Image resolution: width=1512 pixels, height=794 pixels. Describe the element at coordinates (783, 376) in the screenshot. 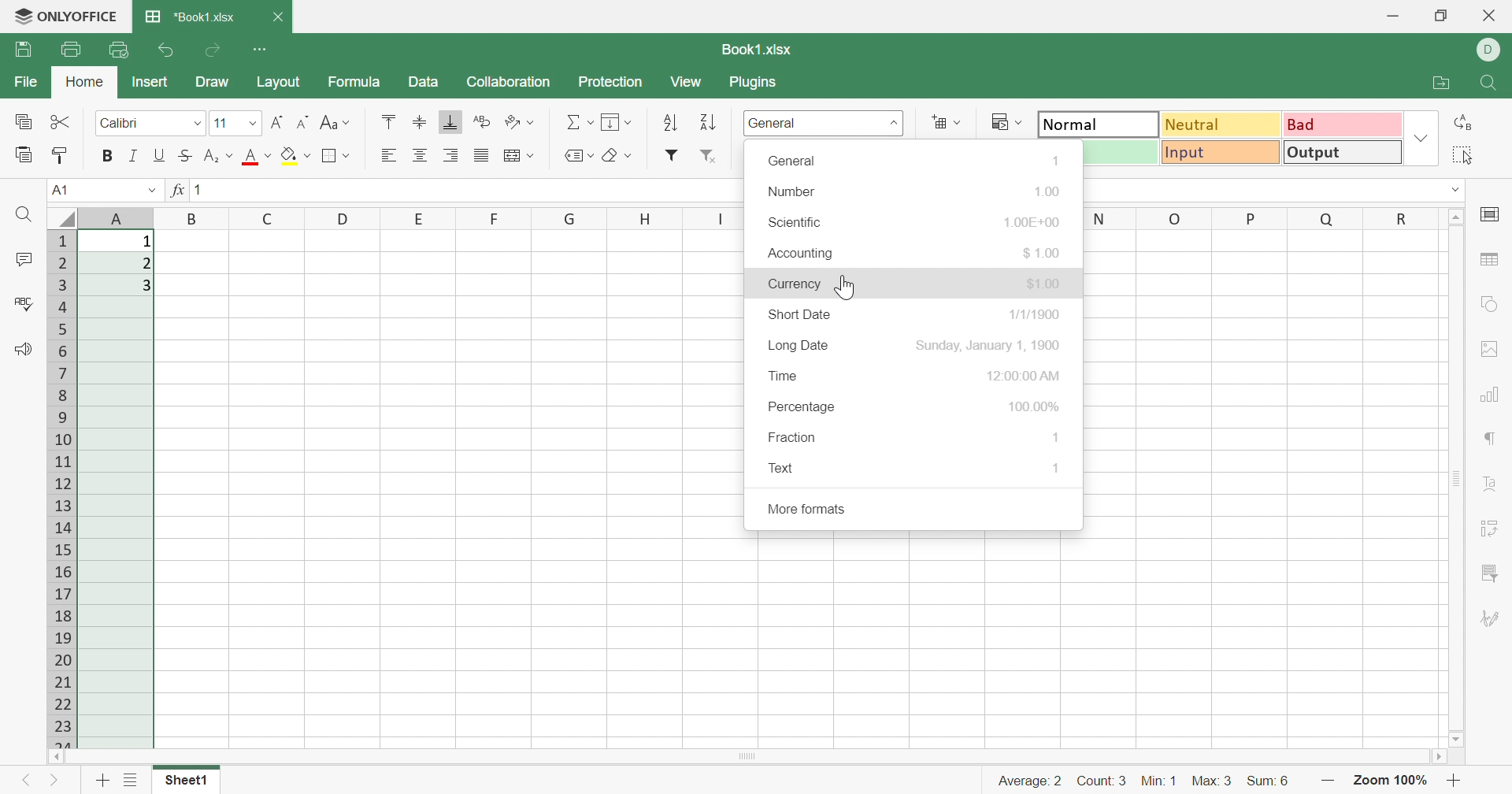

I see `Time` at that location.